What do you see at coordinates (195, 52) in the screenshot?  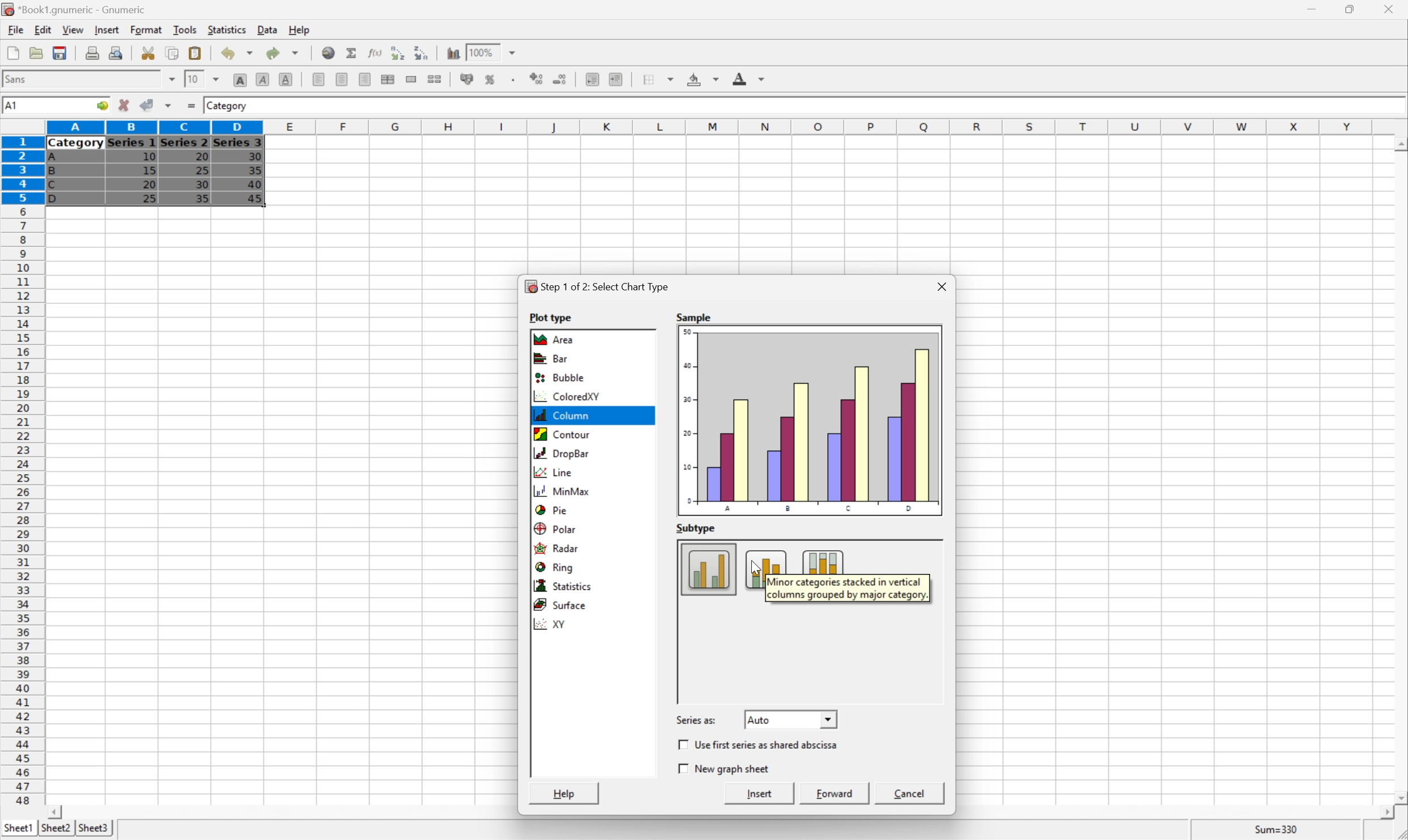 I see `Paste clipboard` at bounding box center [195, 52].